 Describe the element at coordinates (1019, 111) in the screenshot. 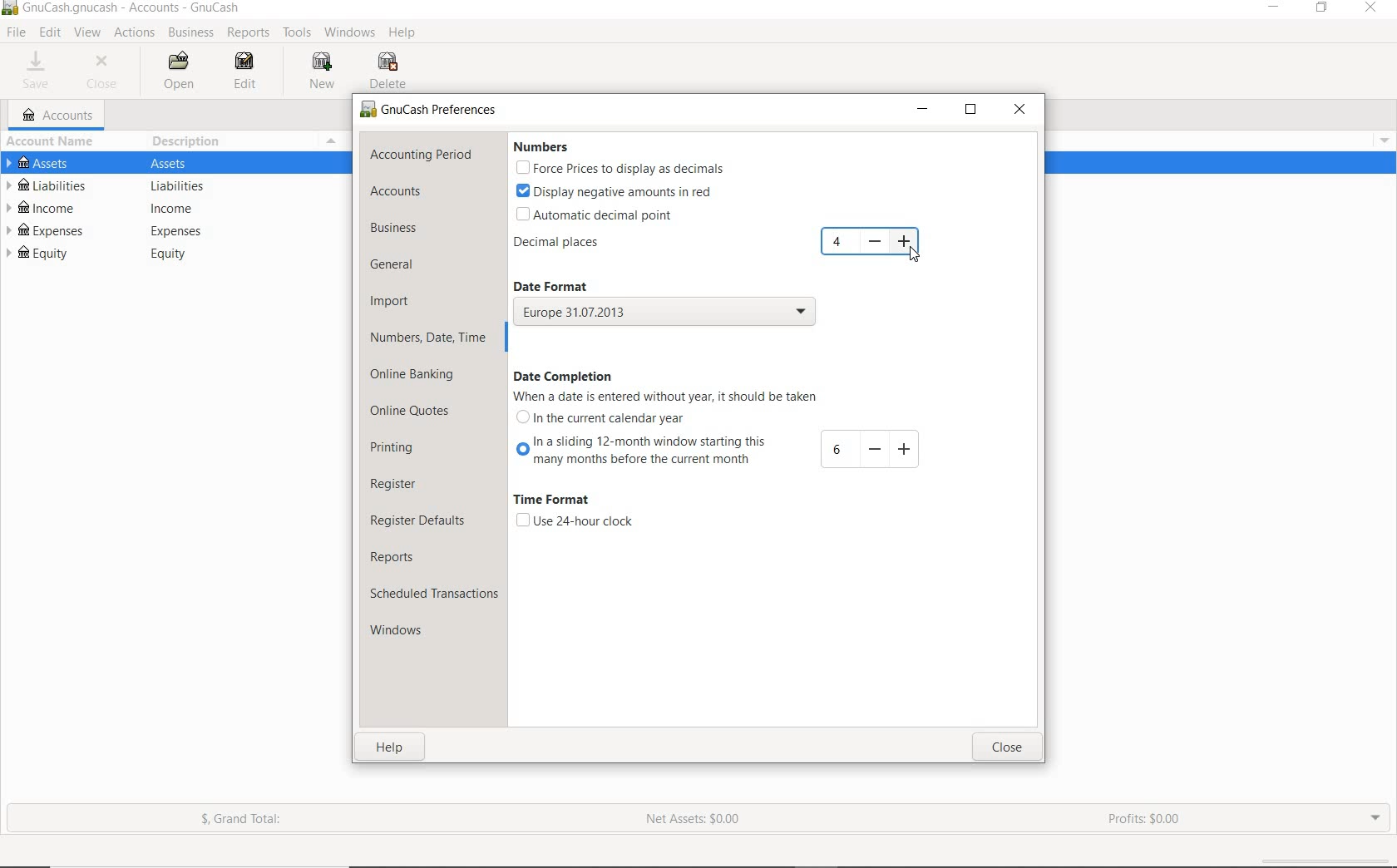

I see `CLOSE` at that location.